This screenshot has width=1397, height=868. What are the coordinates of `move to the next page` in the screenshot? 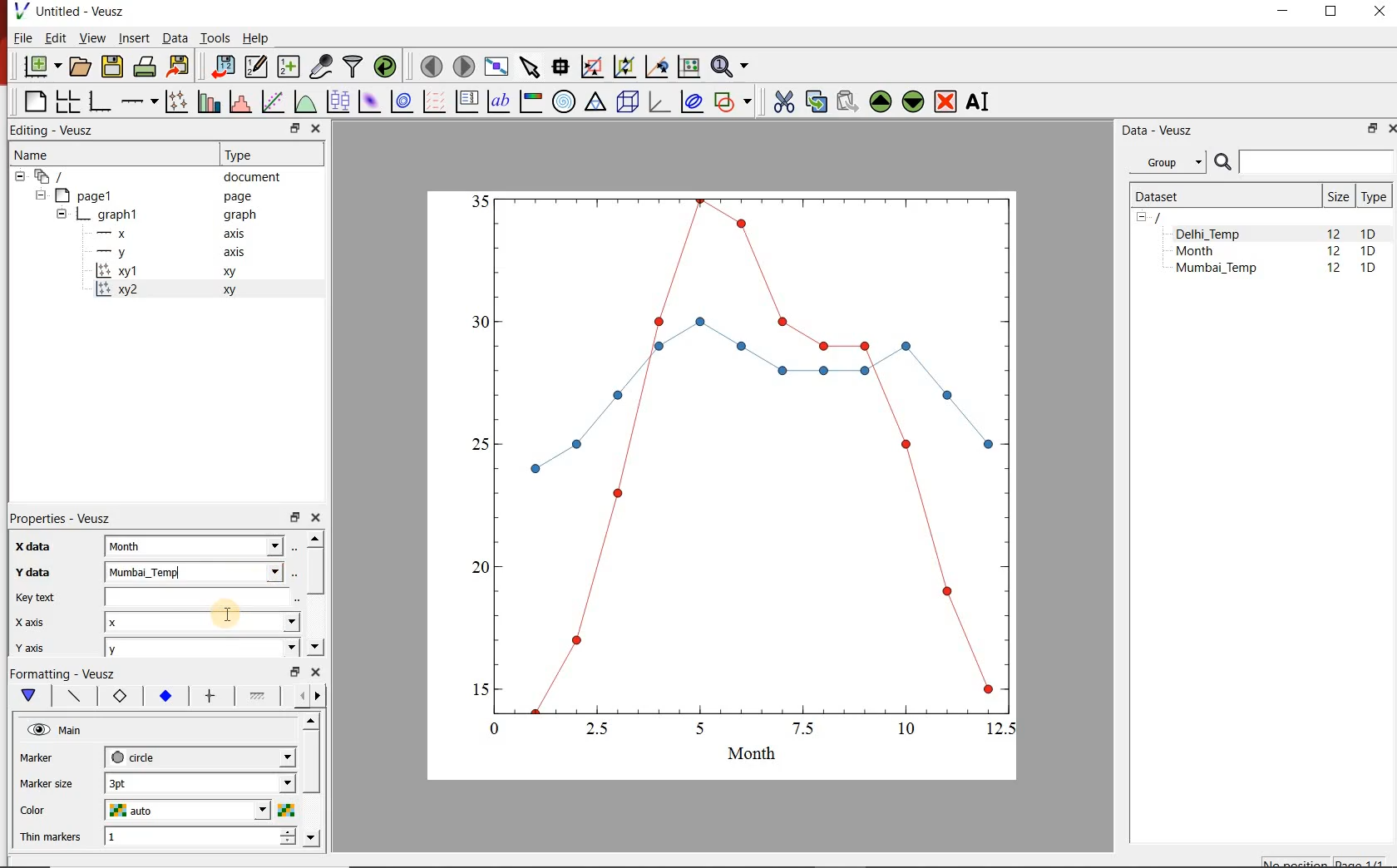 It's located at (464, 67).